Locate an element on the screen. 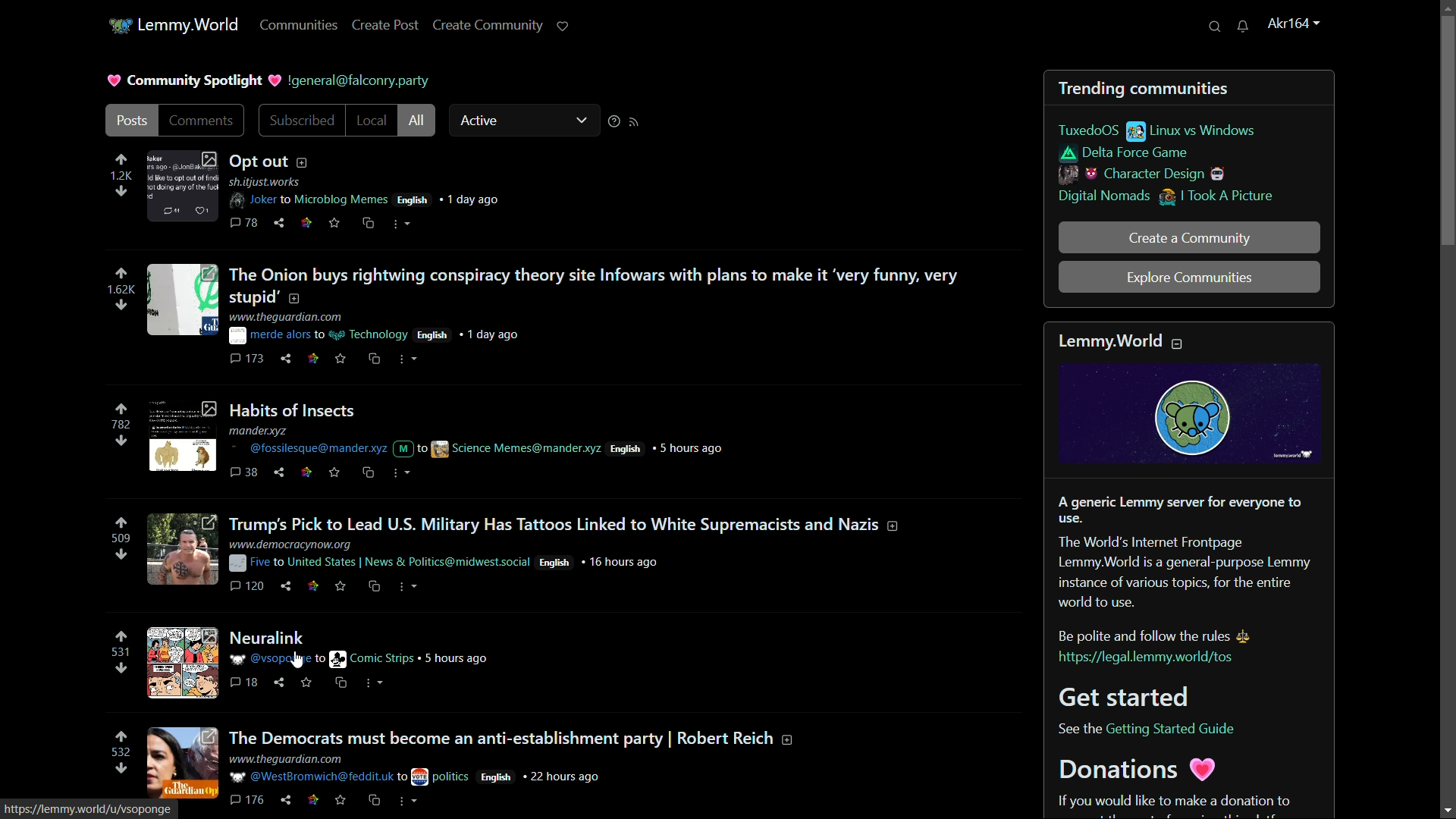  image is located at coordinates (181, 435).